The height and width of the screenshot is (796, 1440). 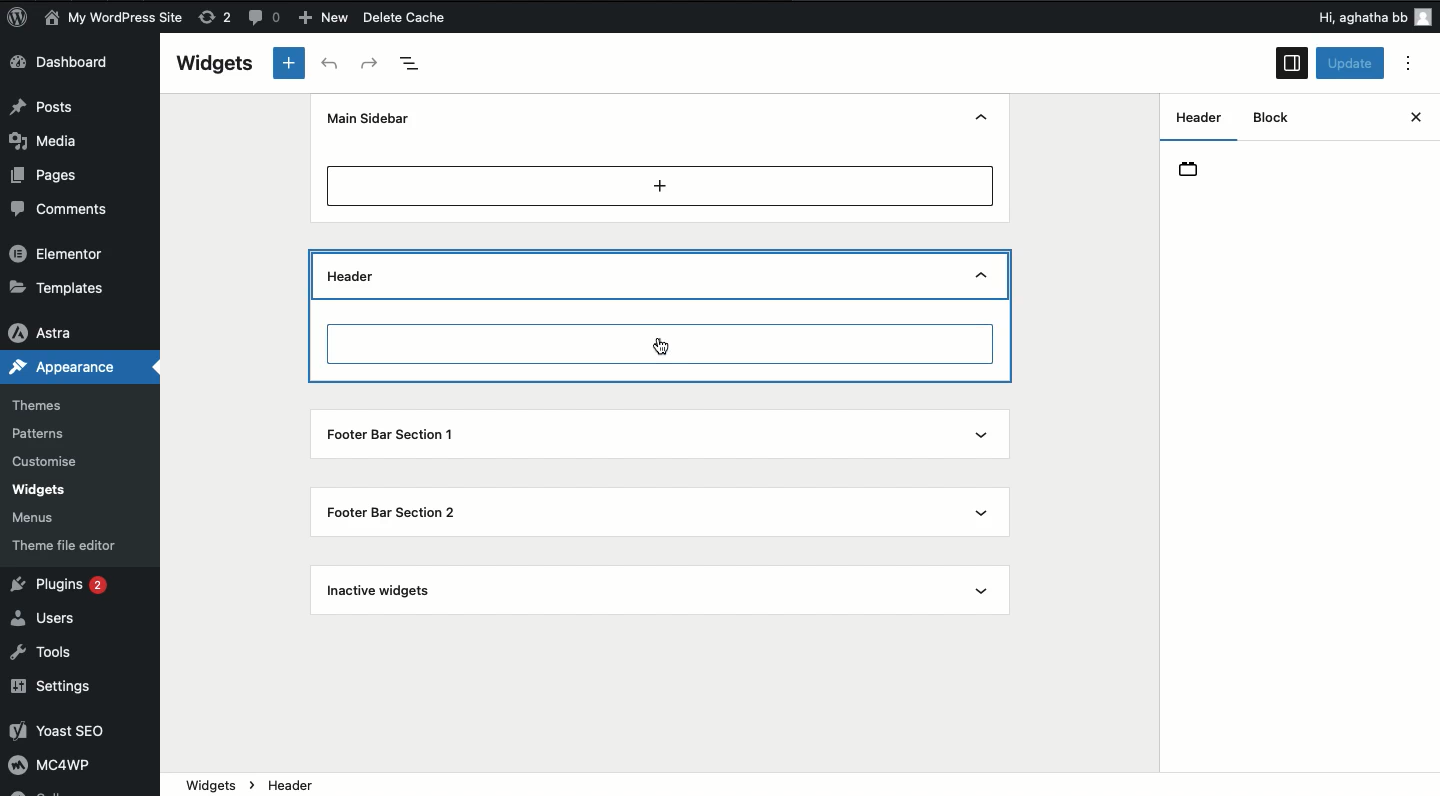 What do you see at coordinates (58, 287) in the screenshot?
I see `Templates` at bounding box center [58, 287].